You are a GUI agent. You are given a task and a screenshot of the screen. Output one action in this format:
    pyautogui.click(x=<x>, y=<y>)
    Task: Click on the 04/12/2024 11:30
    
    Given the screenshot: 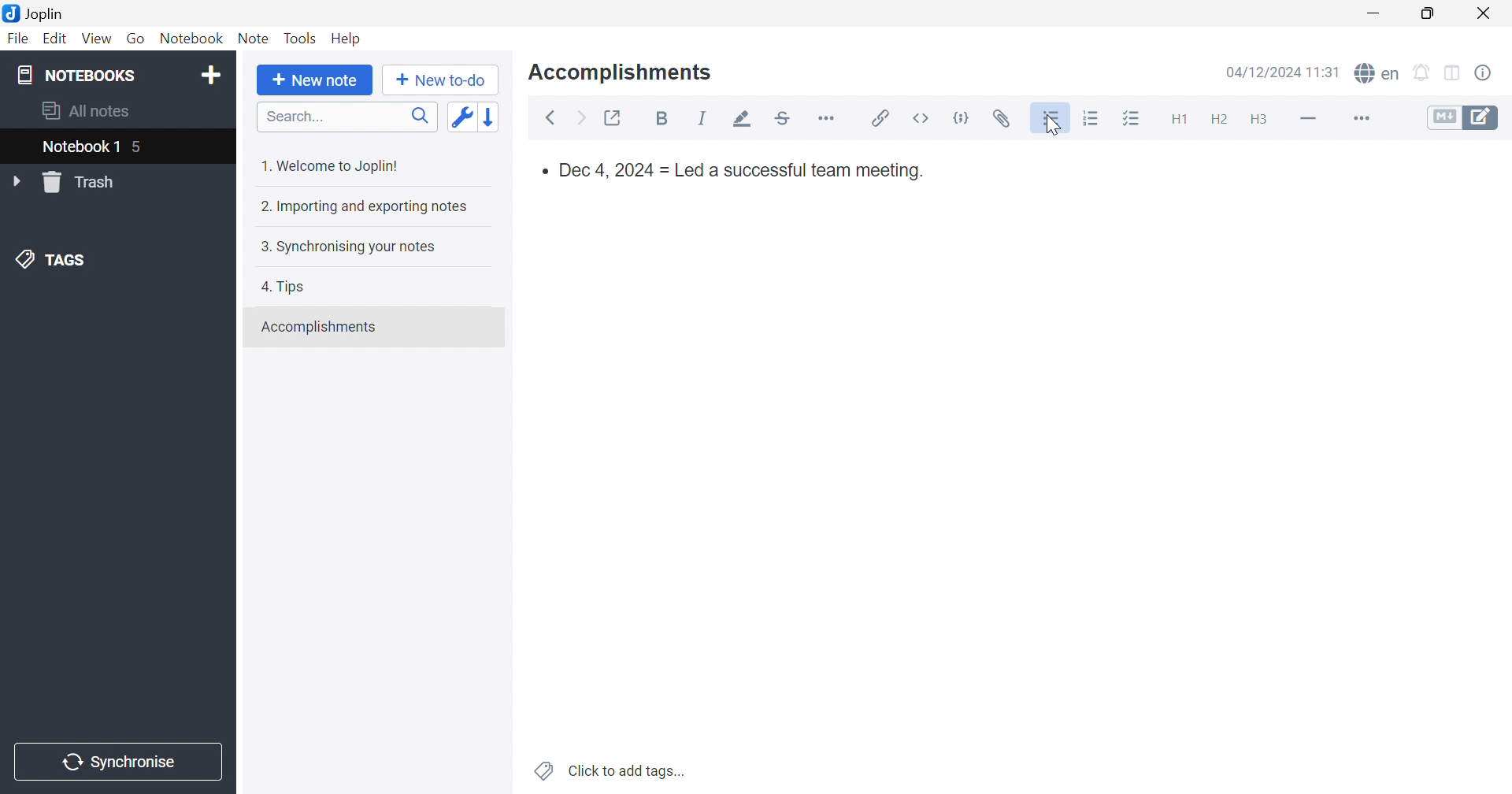 What is the action you would take?
    pyautogui.click(x=1283, y=71)
    